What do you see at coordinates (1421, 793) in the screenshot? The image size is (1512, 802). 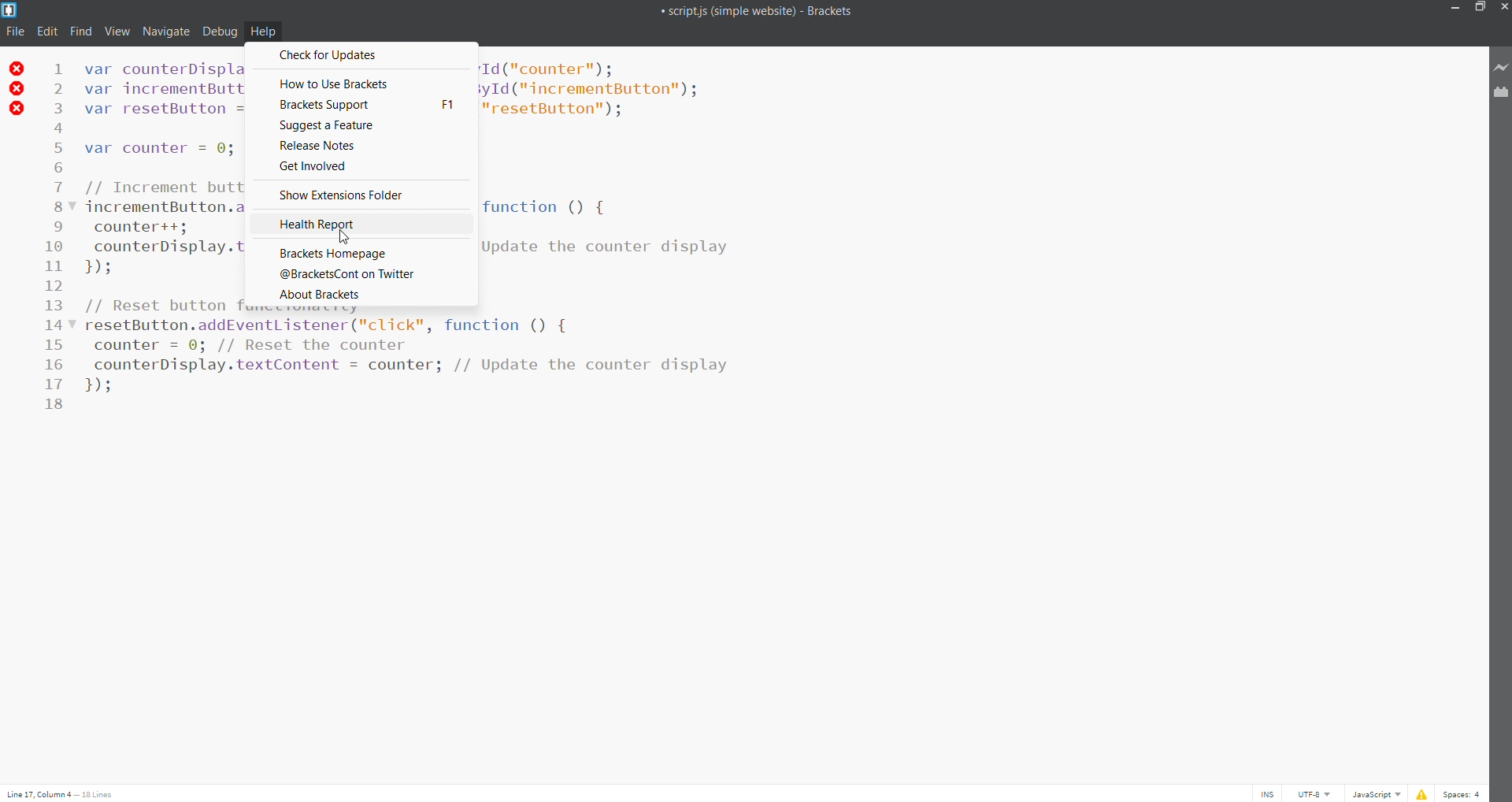 I see `show errors` at bounding box center [1421, 793].